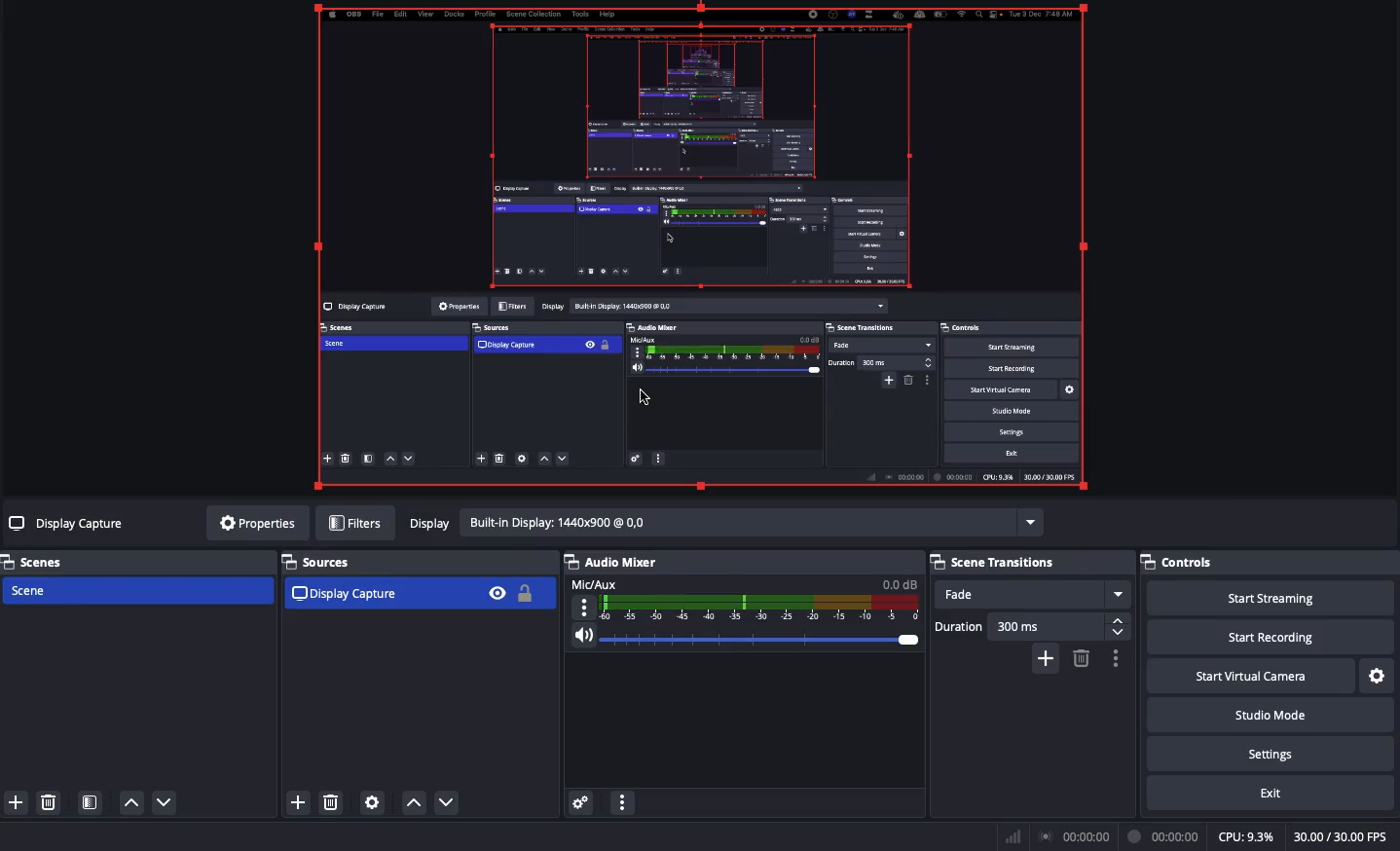 This screenshot has width=1400, height=851. What do you see at coordinates (1248, 837) in the screenshot?
I see `CPU` at bounding box center [1248, 837].